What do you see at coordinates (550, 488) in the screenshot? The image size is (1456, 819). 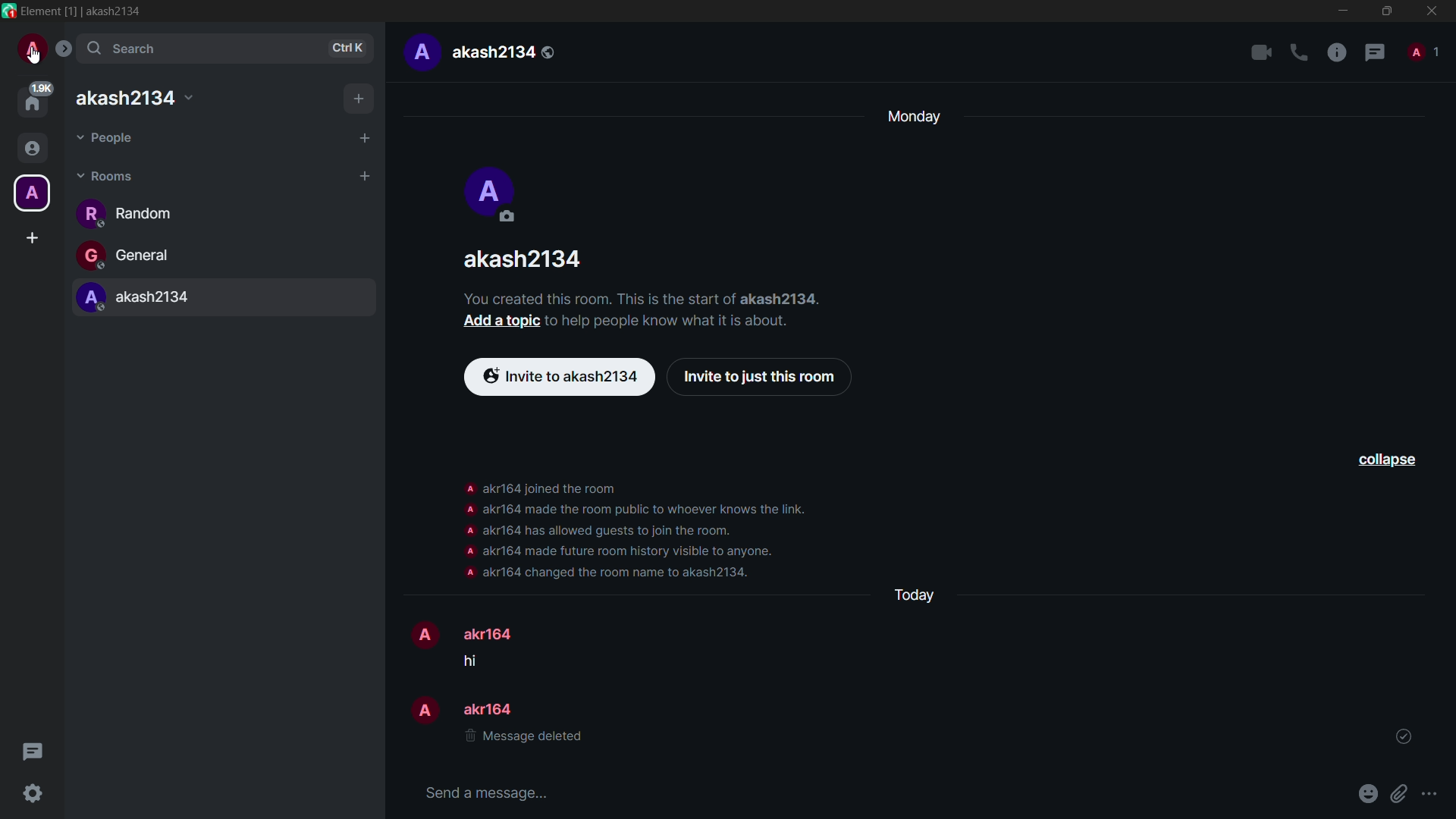 I see `akr164 joined the room` at bounding box center [550, 488].